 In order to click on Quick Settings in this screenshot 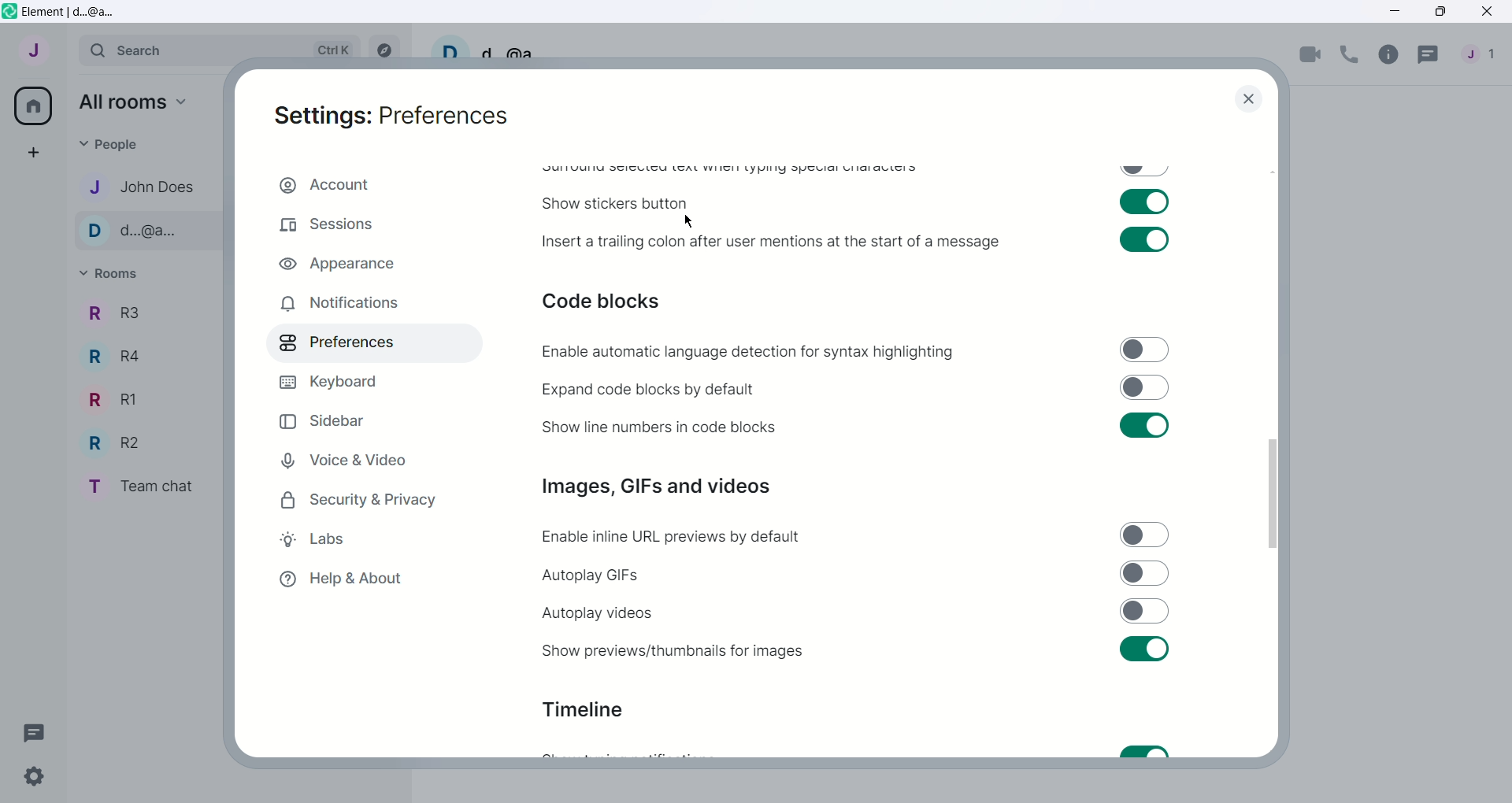, I will do `click(34, 777)`.